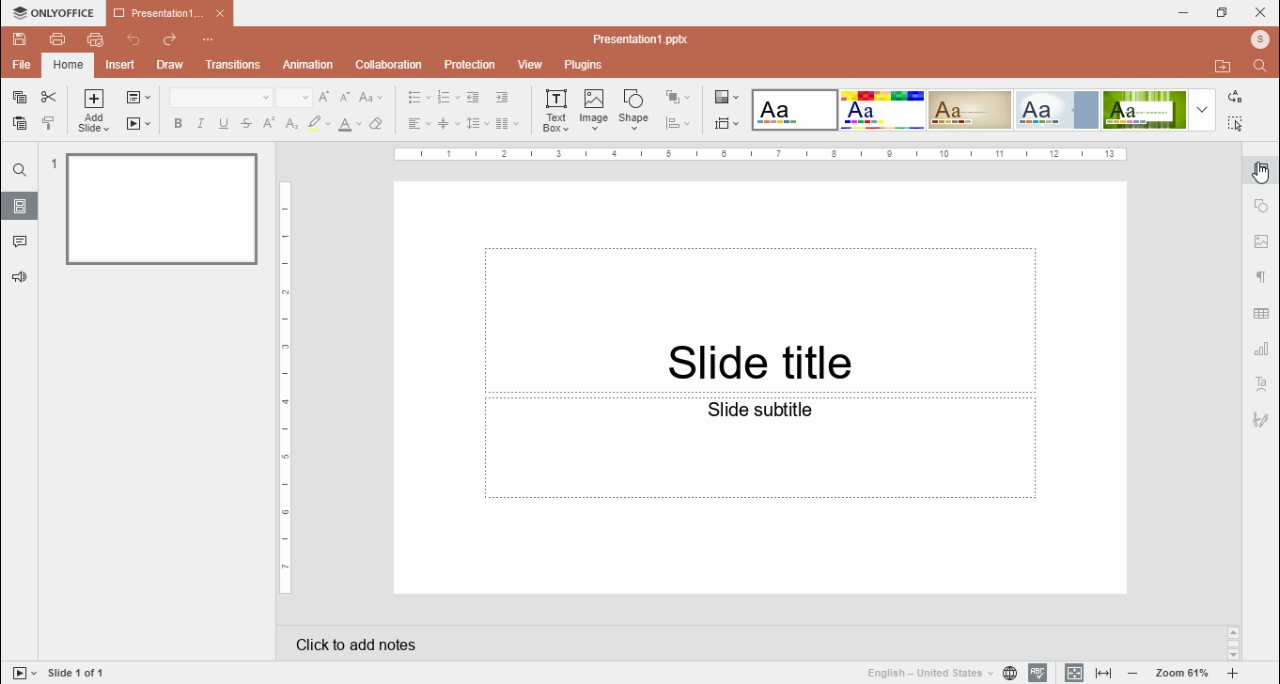 The width and height of the screenshot is (1280, 684). What do you see at coordinates (594, 110) in the screenshot?
I see `image` at bounding box center [594, 110].